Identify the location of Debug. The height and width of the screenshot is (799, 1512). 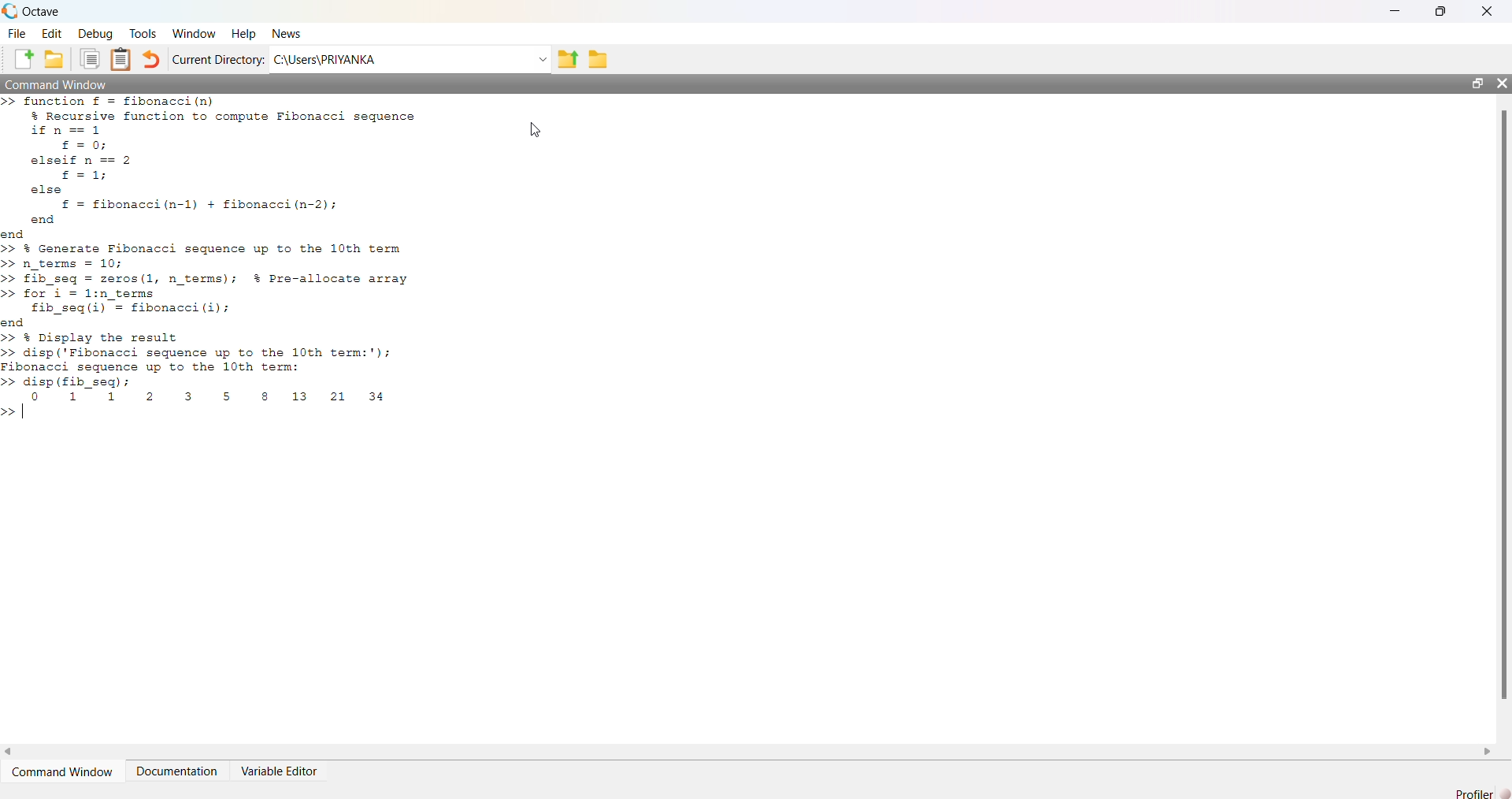
(96, 32).